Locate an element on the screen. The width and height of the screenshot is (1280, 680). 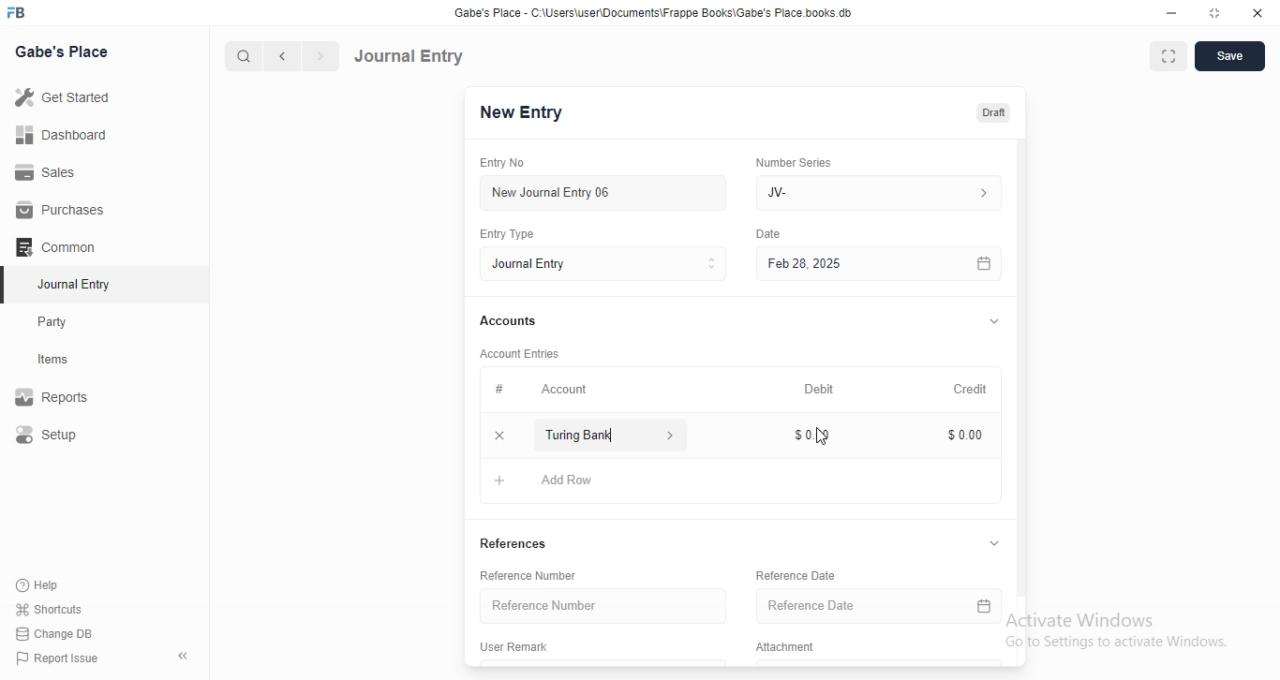
$0.00 is located at coordinates (821, 434).